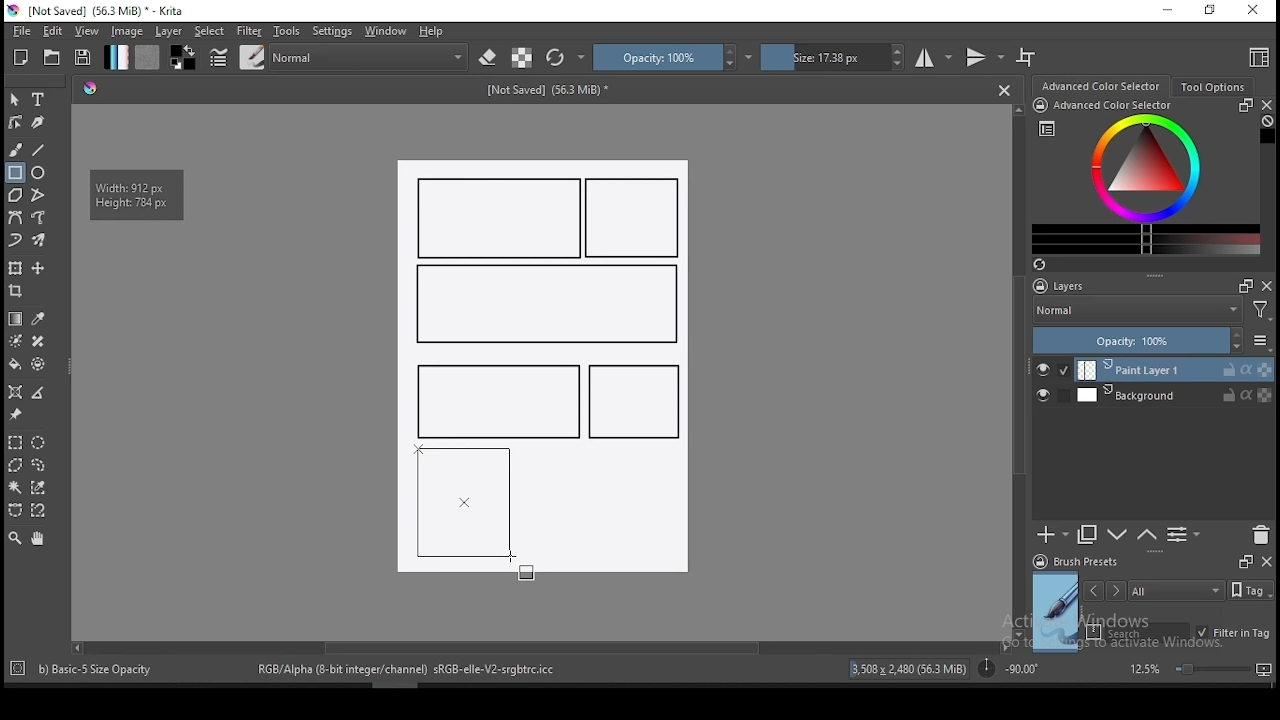 This screenshot has width=1280, height=720. I want to click on scroll bar, so click(539, 646).